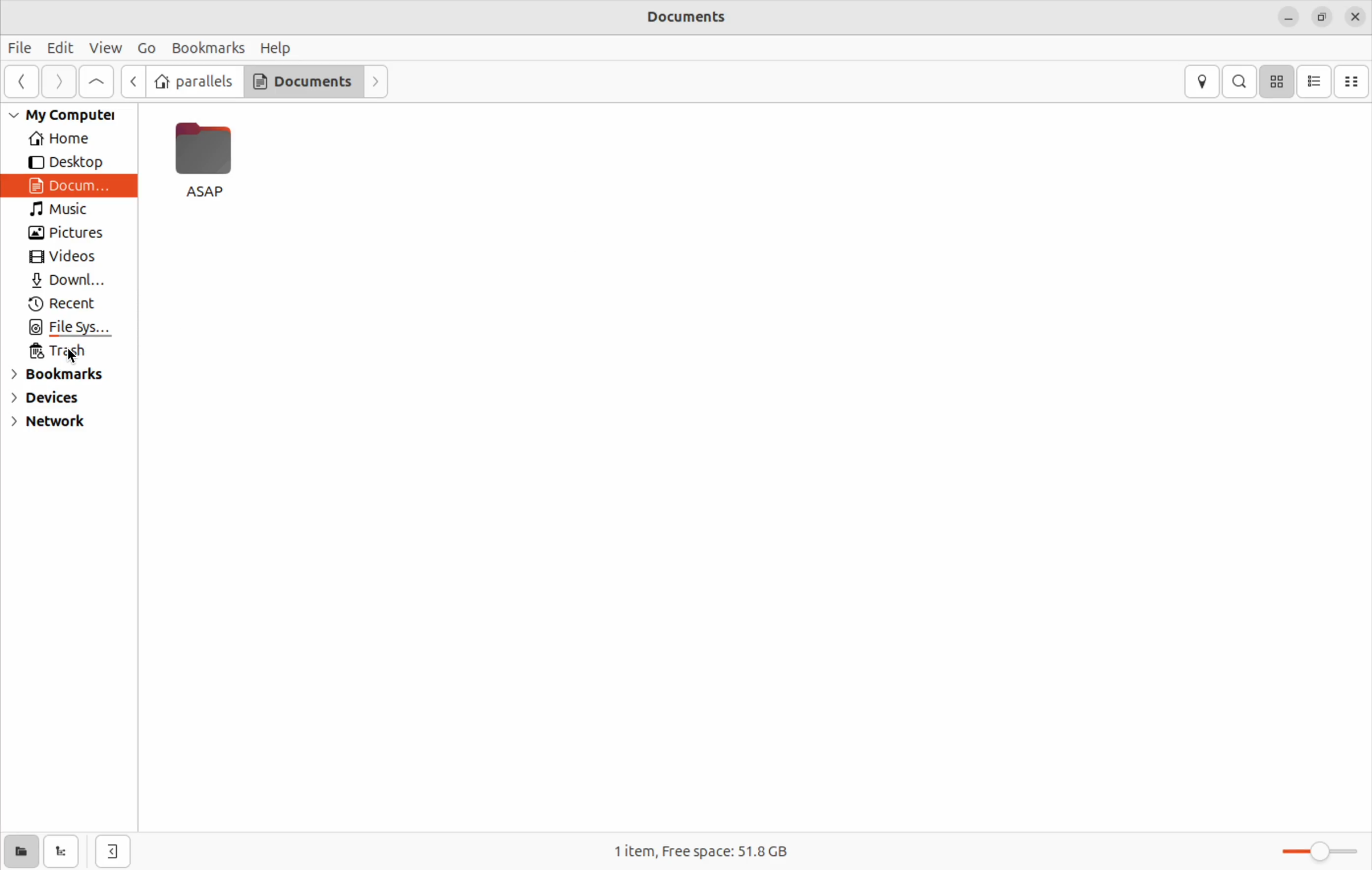  Describe the element at coordinates (1315, 81) in the screenshot. I see `list view` at that location.